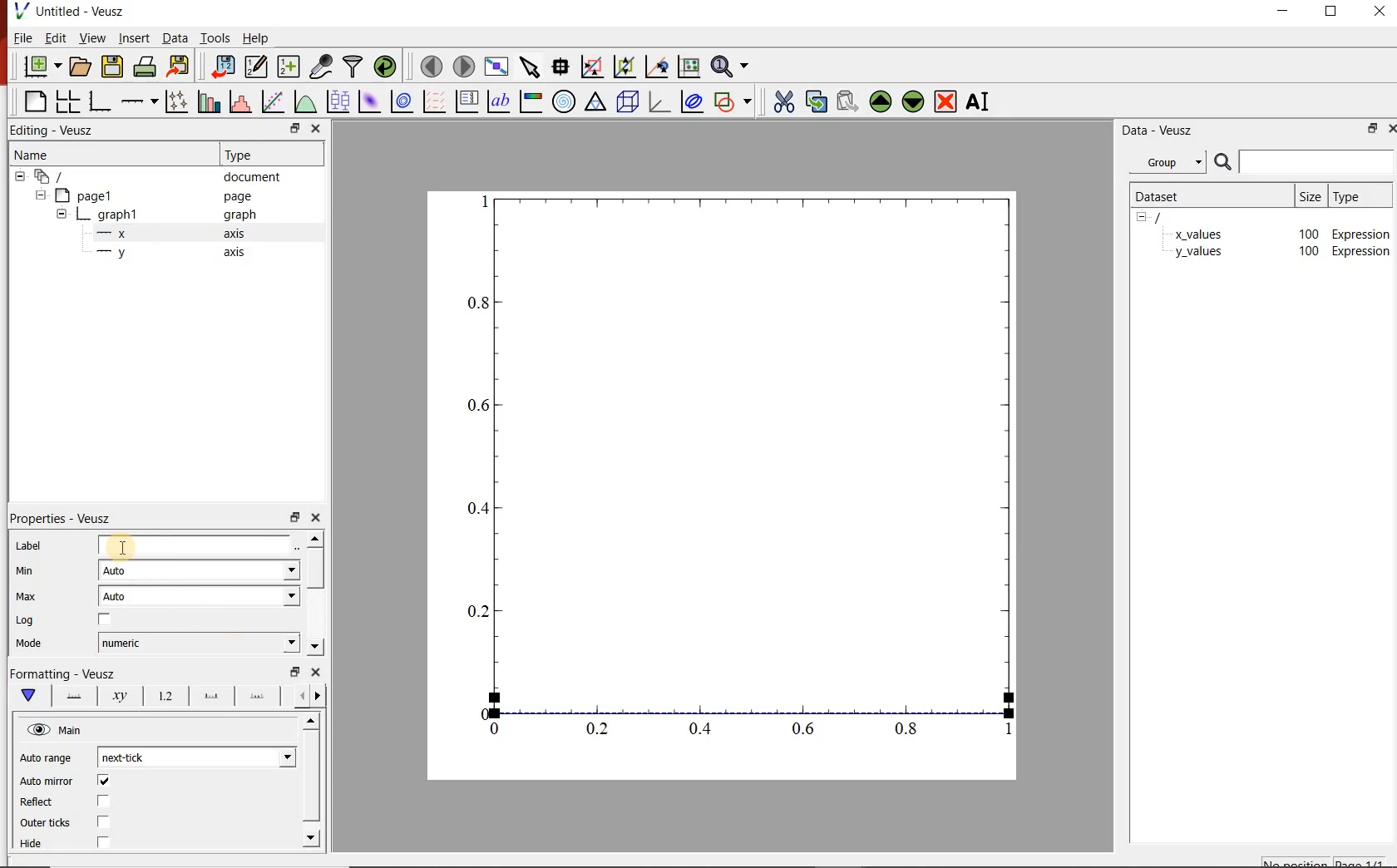  I want to click on checkbox, so click(105, 841).